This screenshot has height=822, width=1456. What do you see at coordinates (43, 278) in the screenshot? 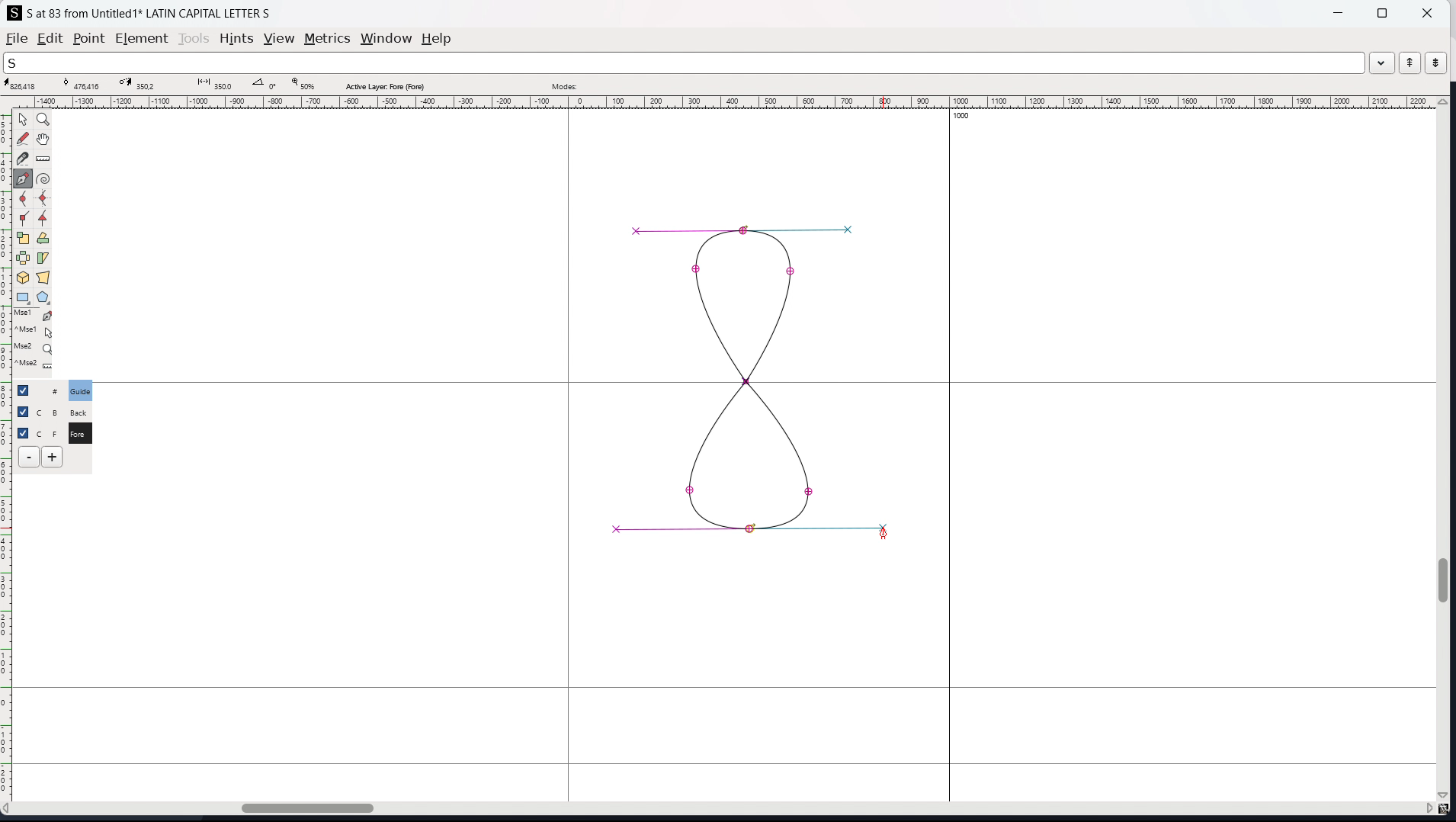
I see `perspective transformation` at bounding box center [43, 278].